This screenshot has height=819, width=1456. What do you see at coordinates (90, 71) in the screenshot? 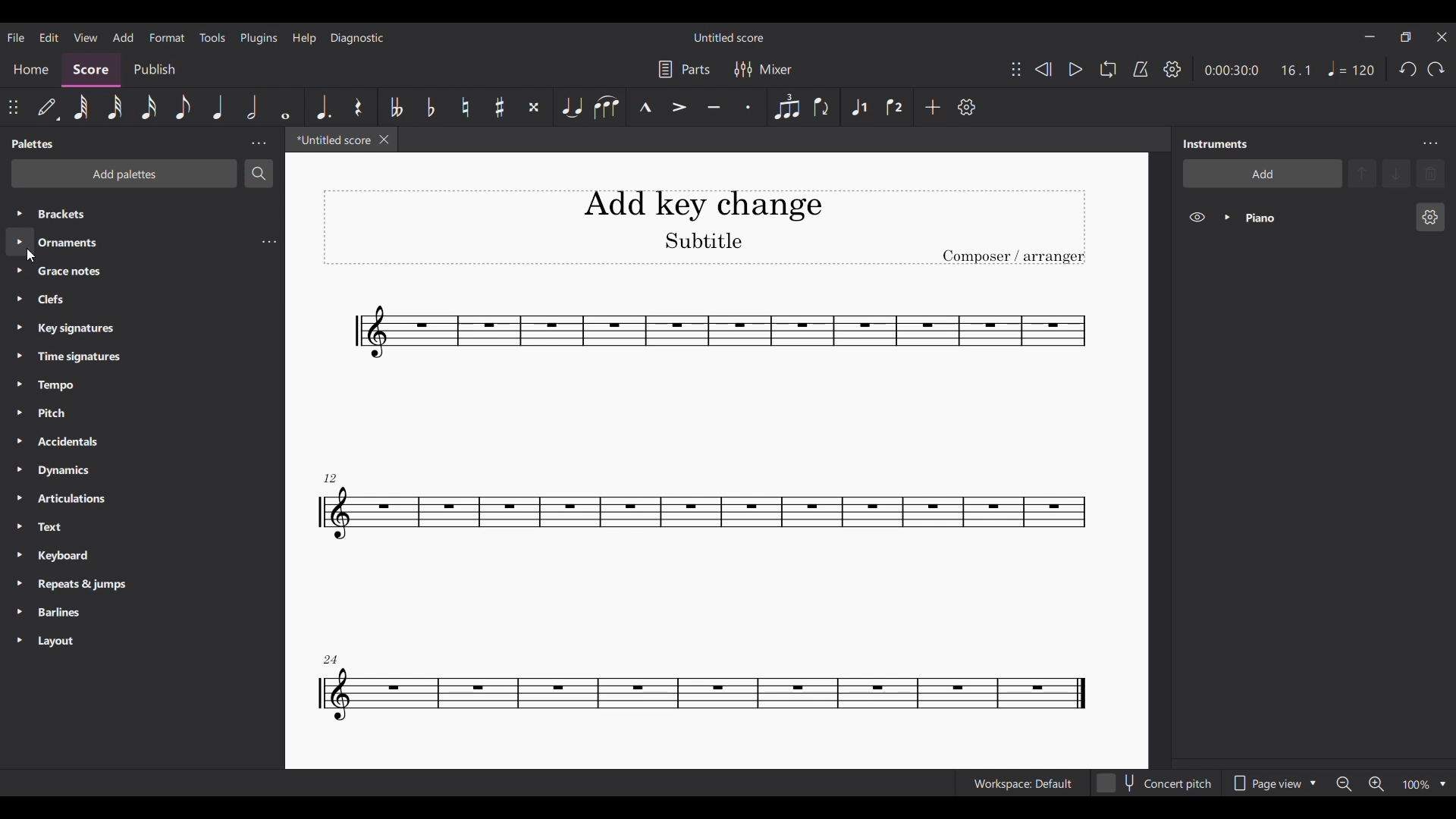
I see `Score section` at bounding box center [90, 71].